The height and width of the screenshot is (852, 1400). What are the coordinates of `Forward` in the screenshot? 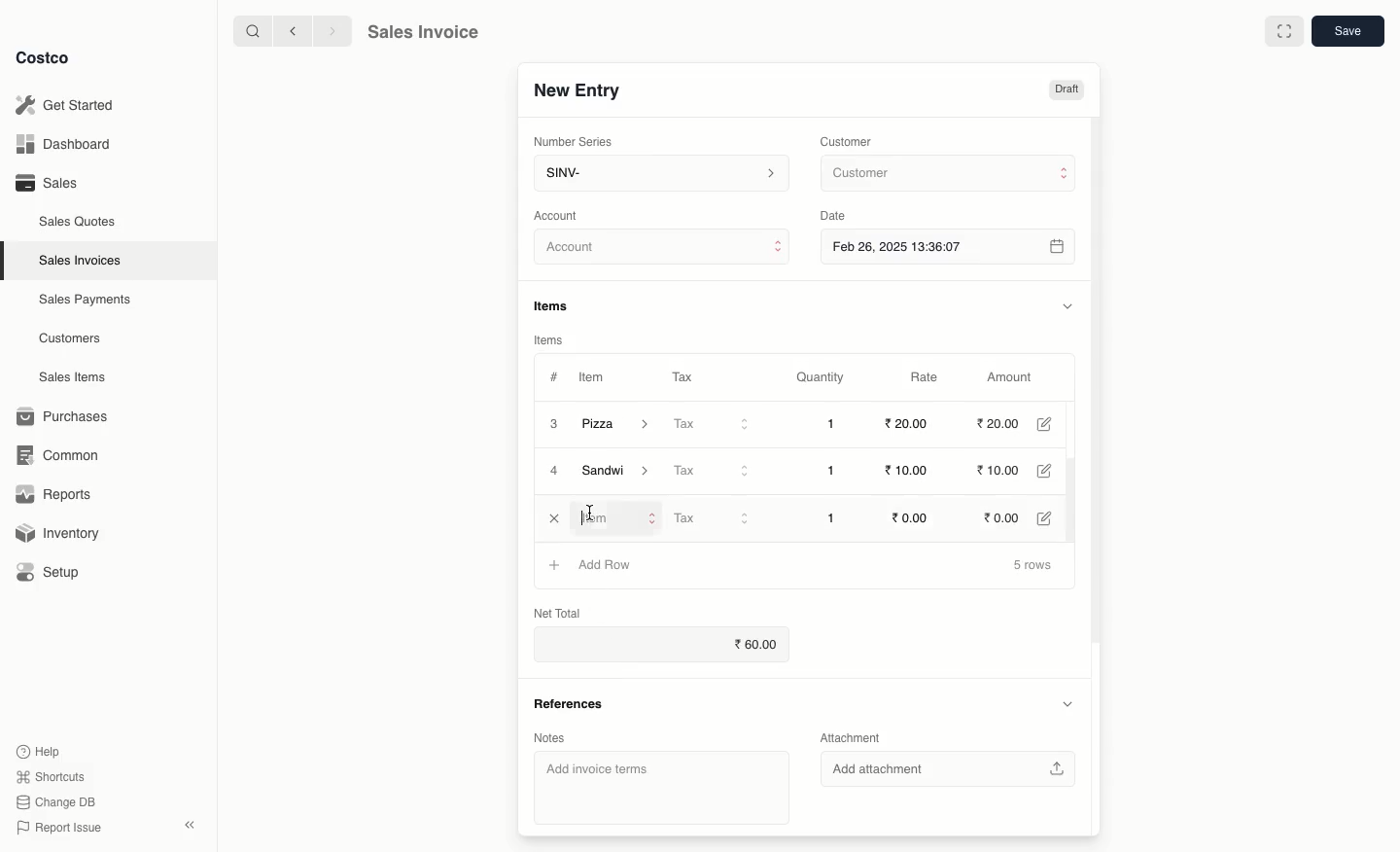 It's located at (332, 32).